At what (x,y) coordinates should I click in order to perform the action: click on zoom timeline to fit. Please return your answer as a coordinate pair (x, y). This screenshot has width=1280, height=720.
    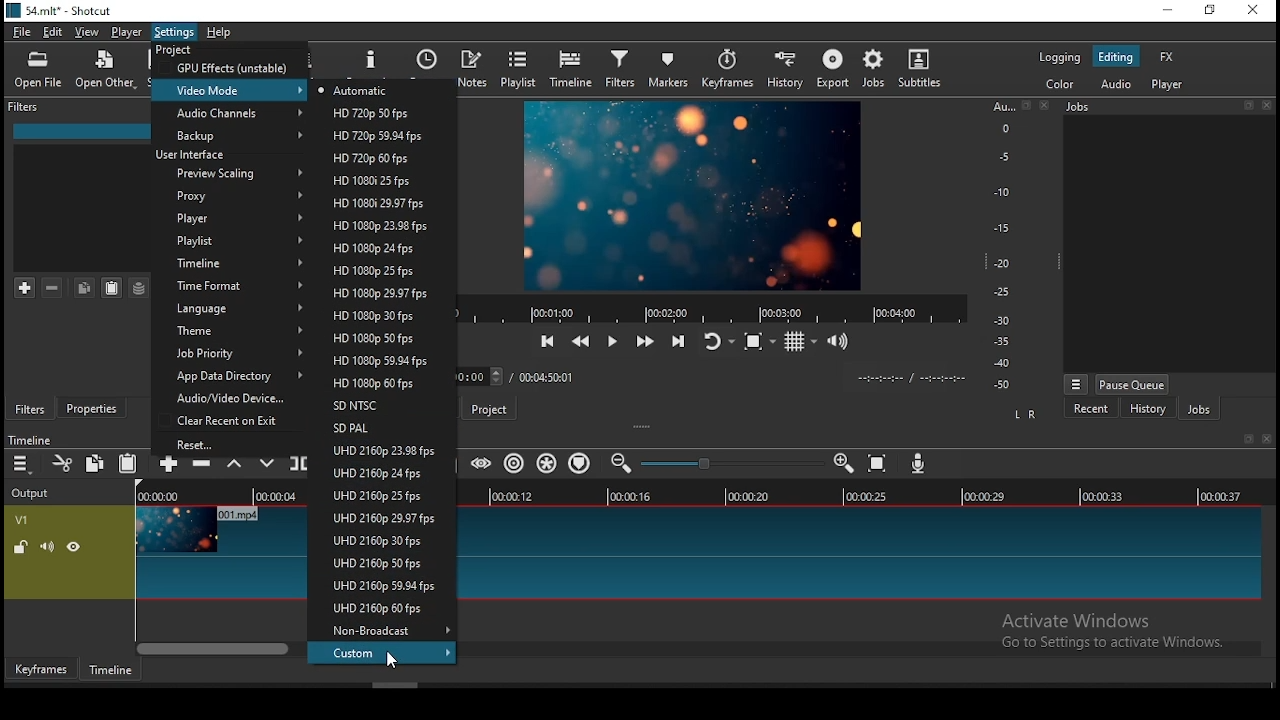
    Looking at the image, I should click on (879, 465).